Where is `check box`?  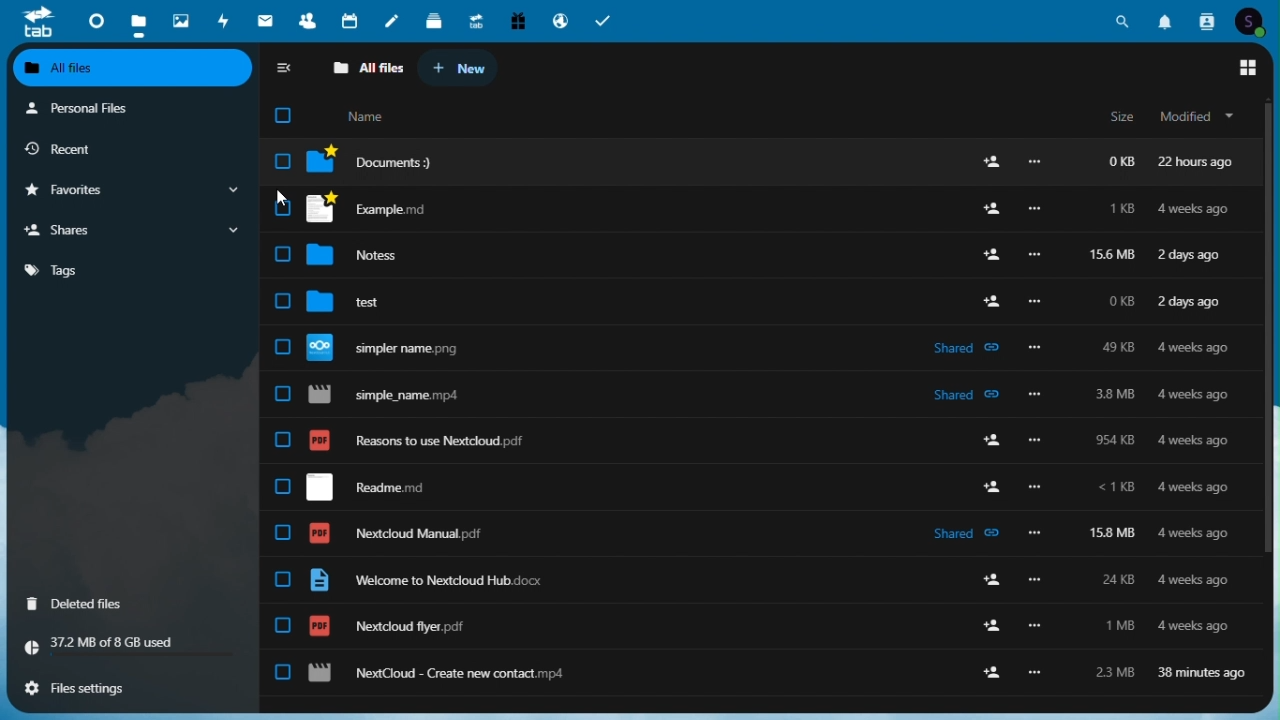
check box is located at coordinates (283, 207).